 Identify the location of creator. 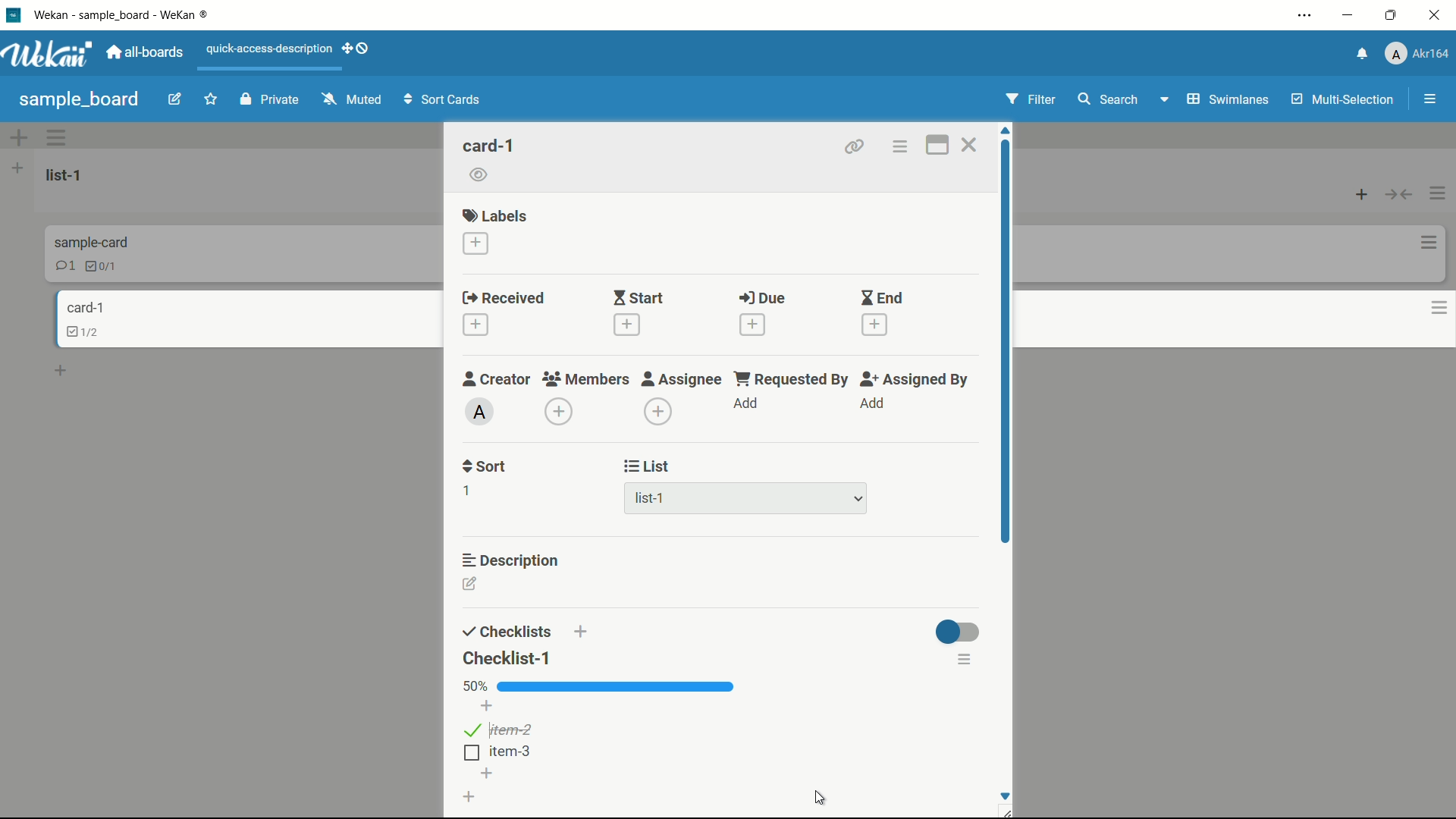
(498, 380).